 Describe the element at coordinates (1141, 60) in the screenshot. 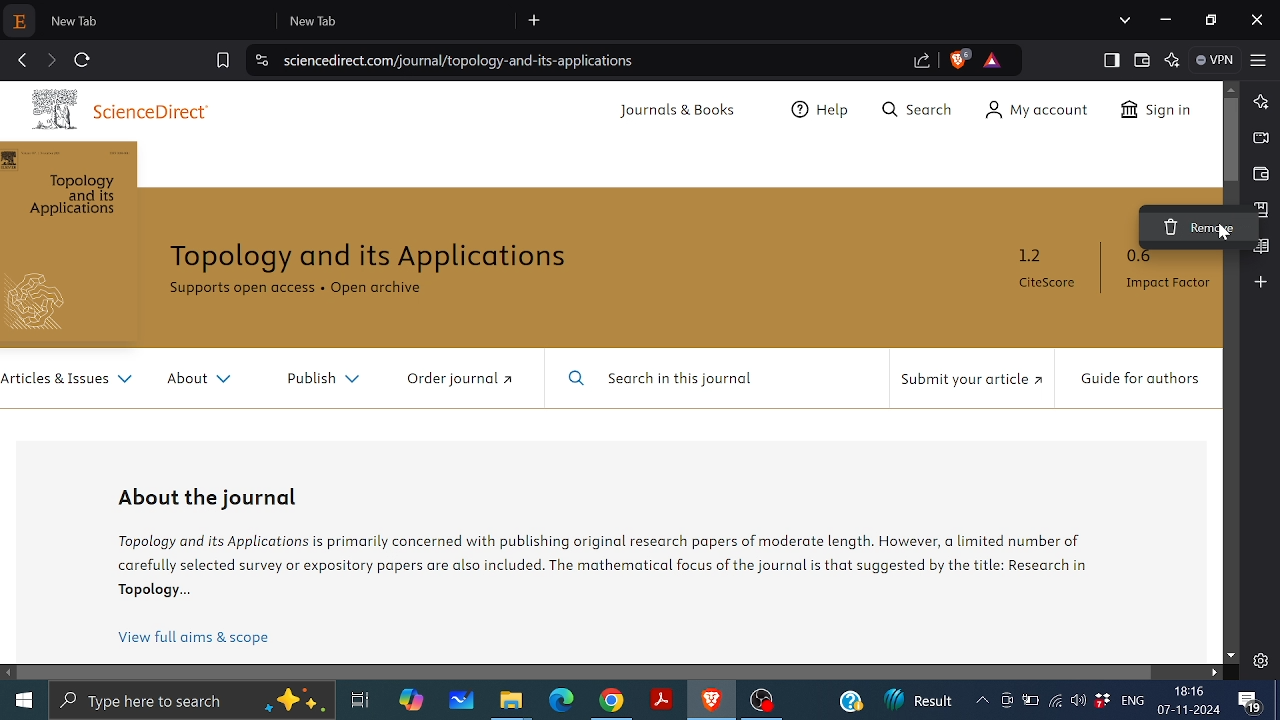

I see `Brave wallet` at that location.